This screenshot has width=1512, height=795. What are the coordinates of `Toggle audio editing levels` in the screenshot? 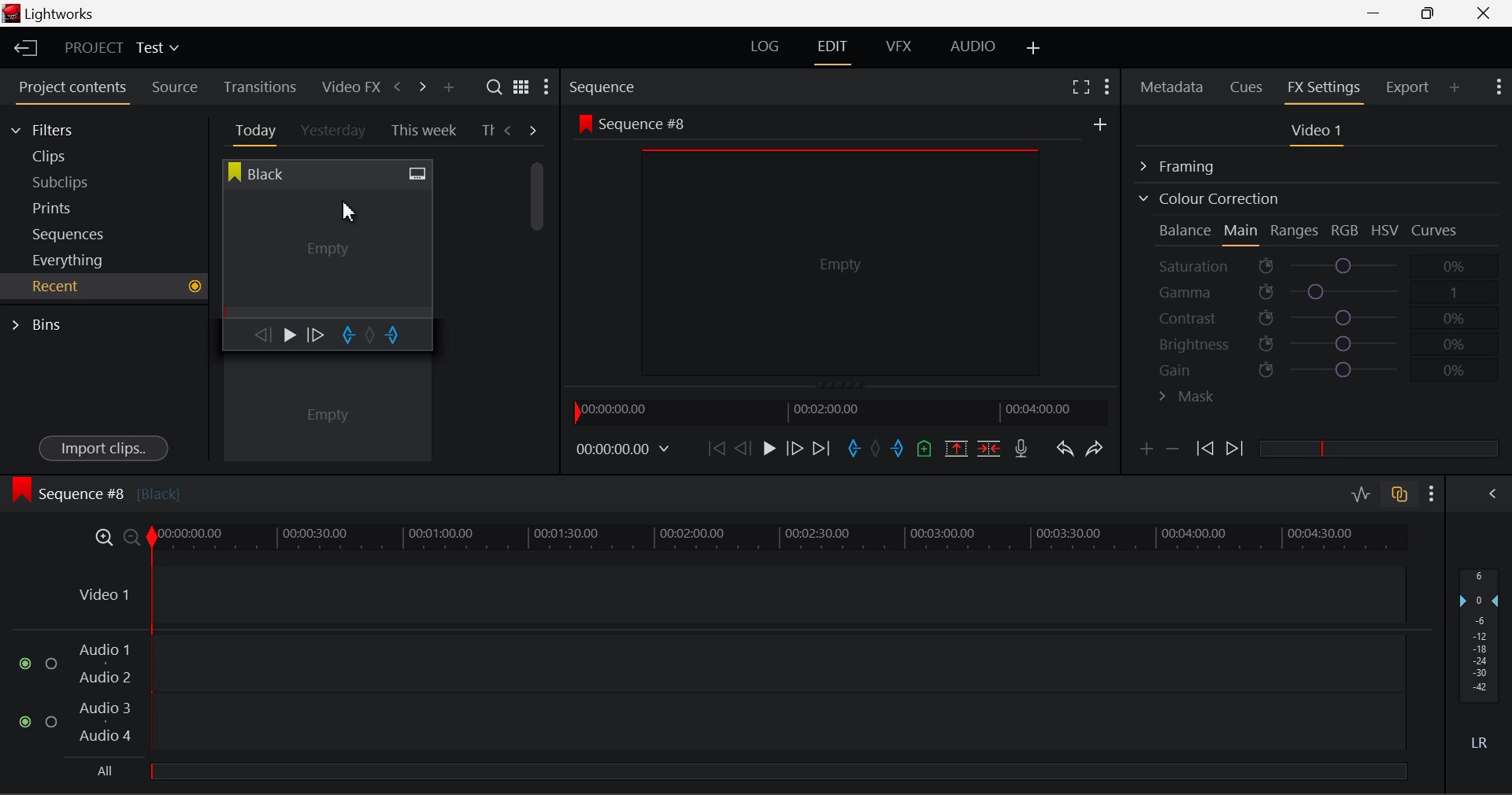 It's located at (1362, 492).